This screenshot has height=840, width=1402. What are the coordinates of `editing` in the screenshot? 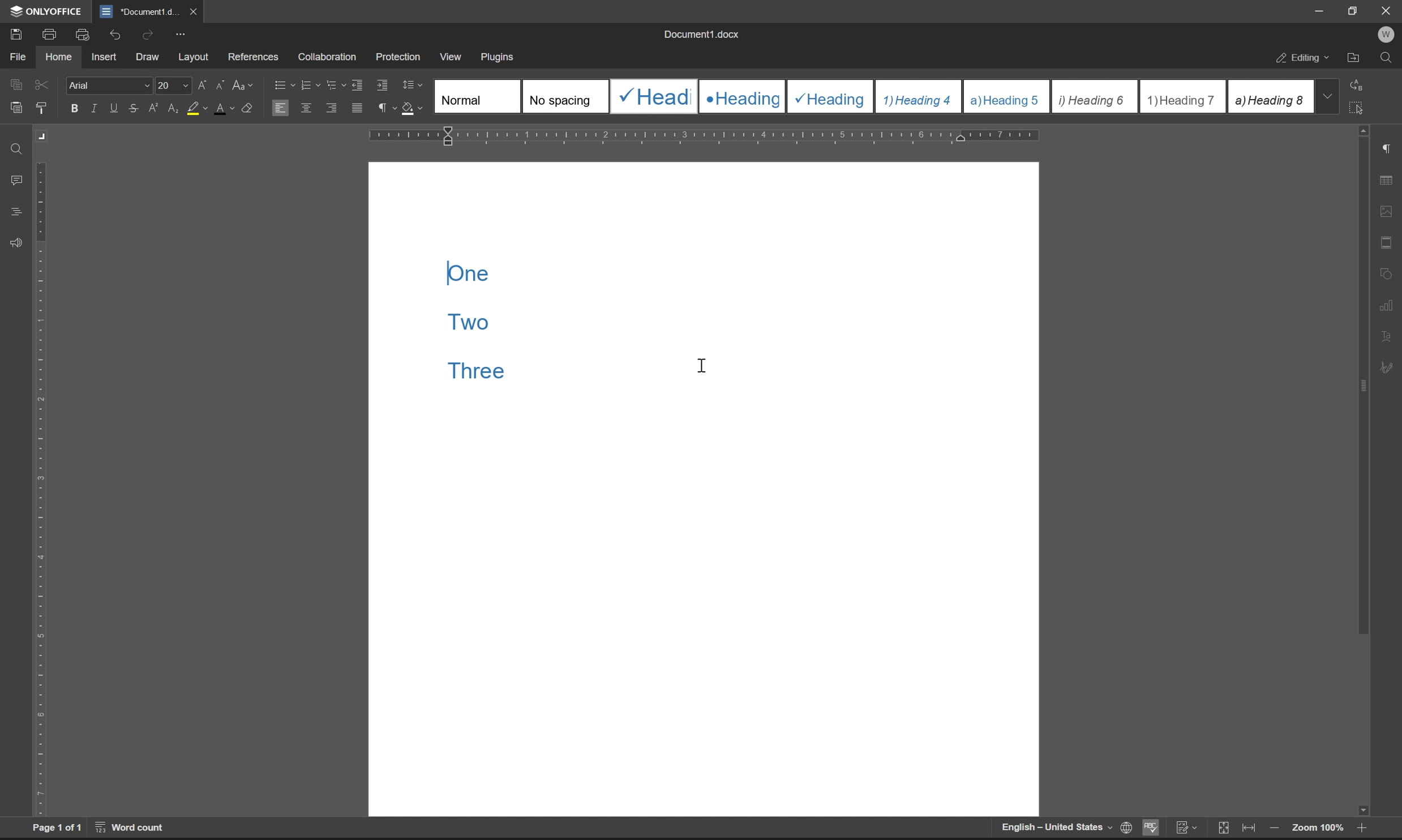 It's located at (1304, 59).